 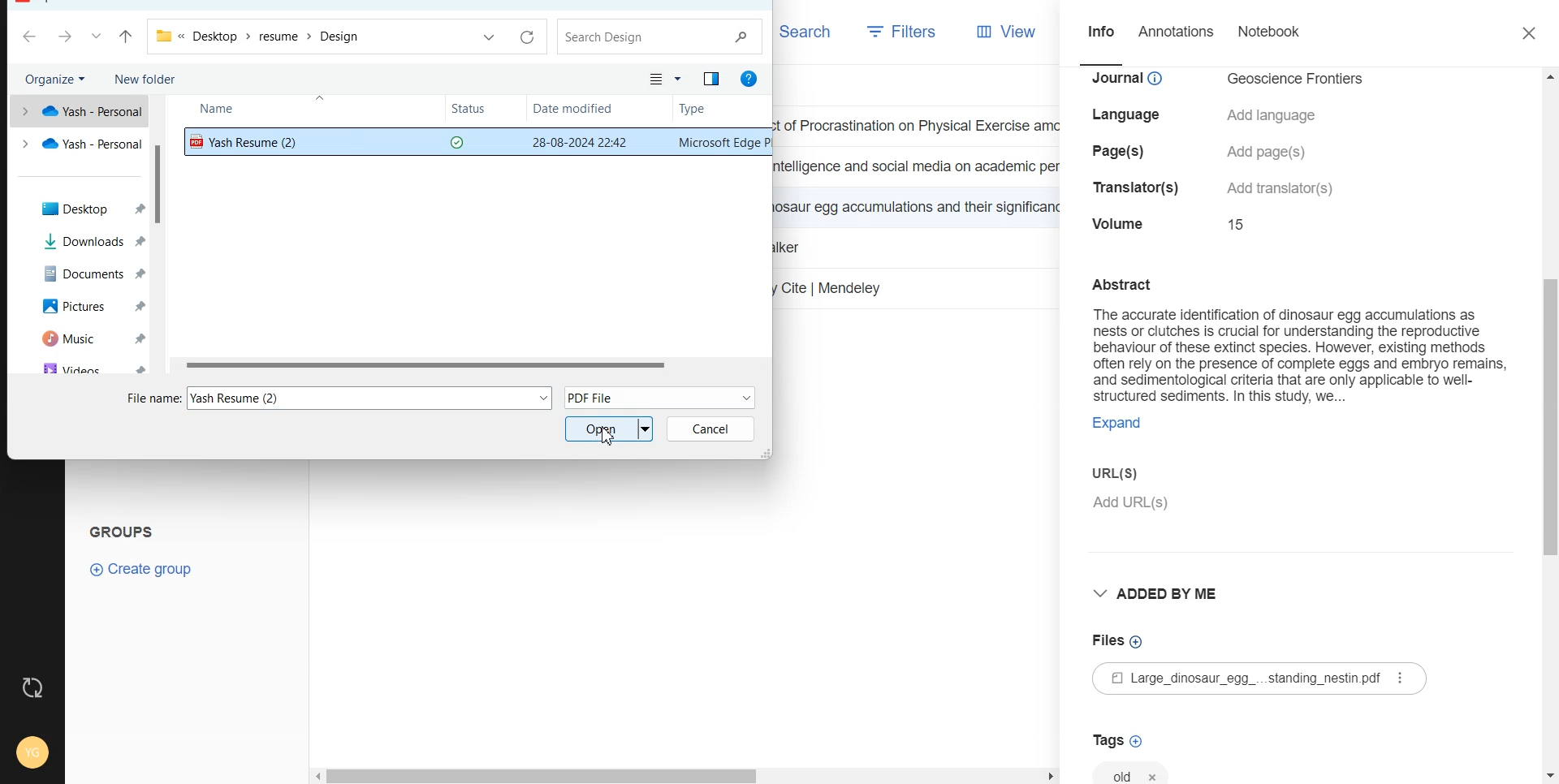 I want to click on Add URL, so click(x=1292, y=512).